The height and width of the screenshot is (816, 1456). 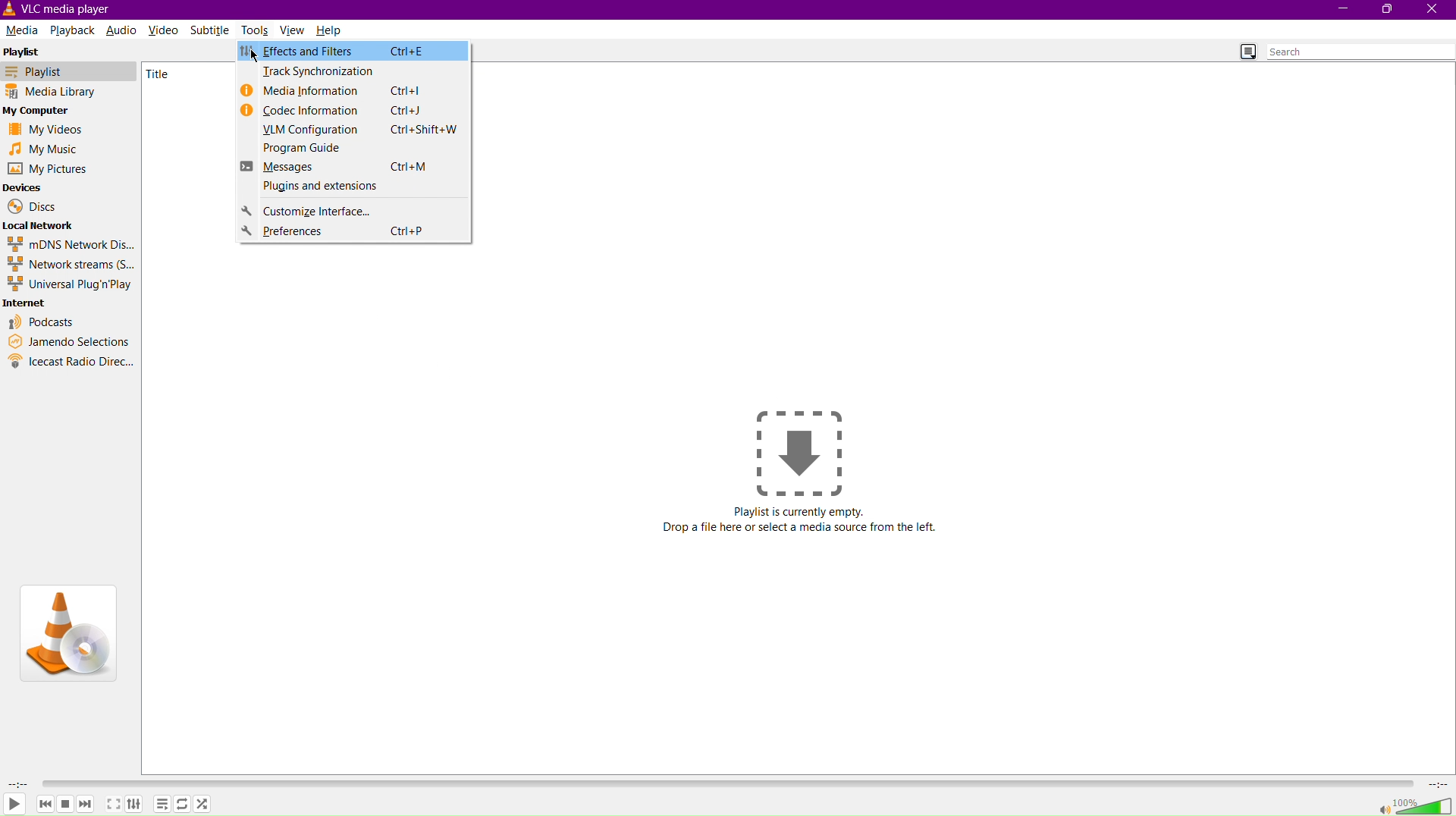 I want to click on Adjust, so click(x=136, y=802).